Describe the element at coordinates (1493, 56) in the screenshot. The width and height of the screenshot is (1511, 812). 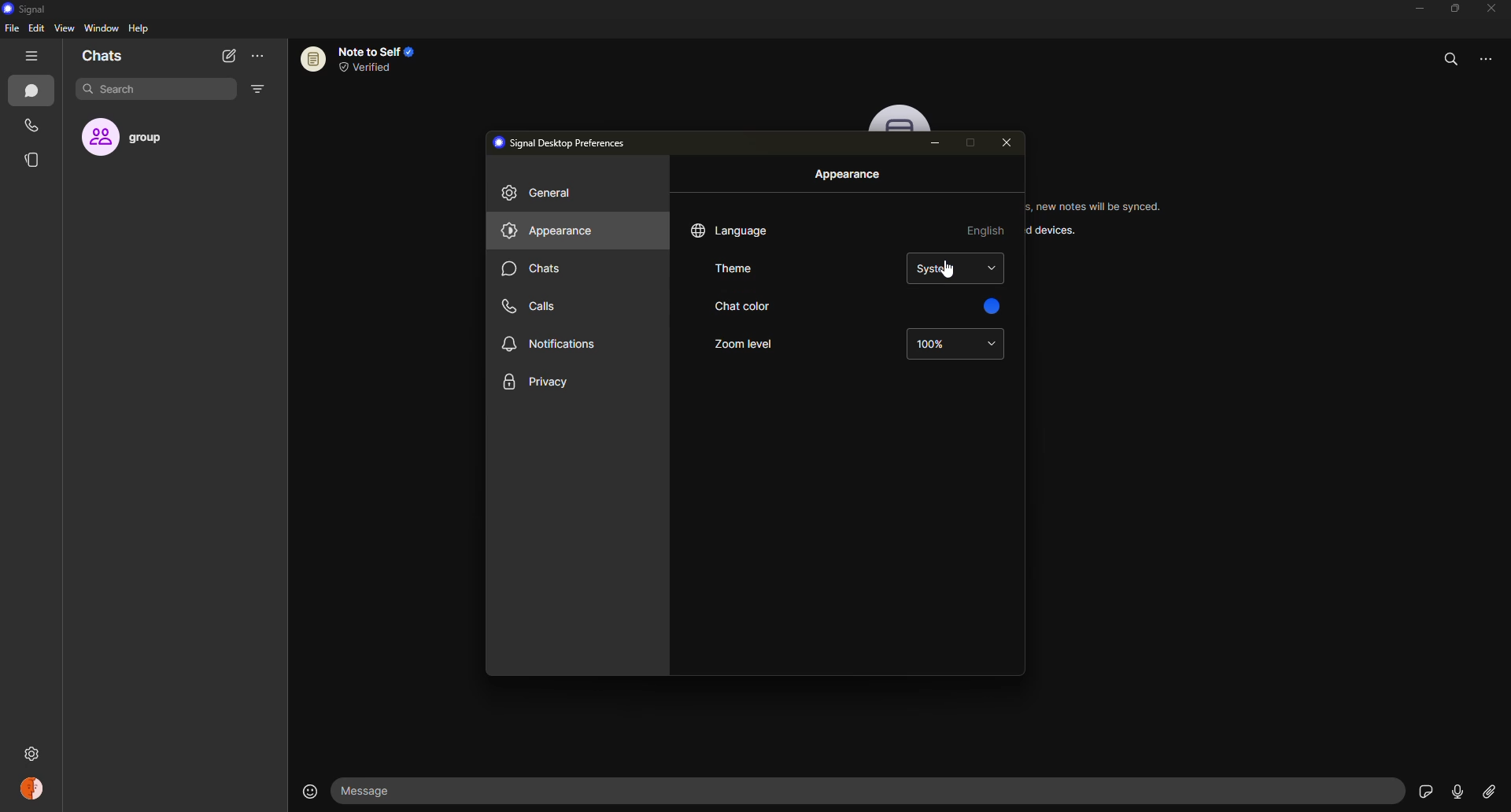
I see `more` at that location.